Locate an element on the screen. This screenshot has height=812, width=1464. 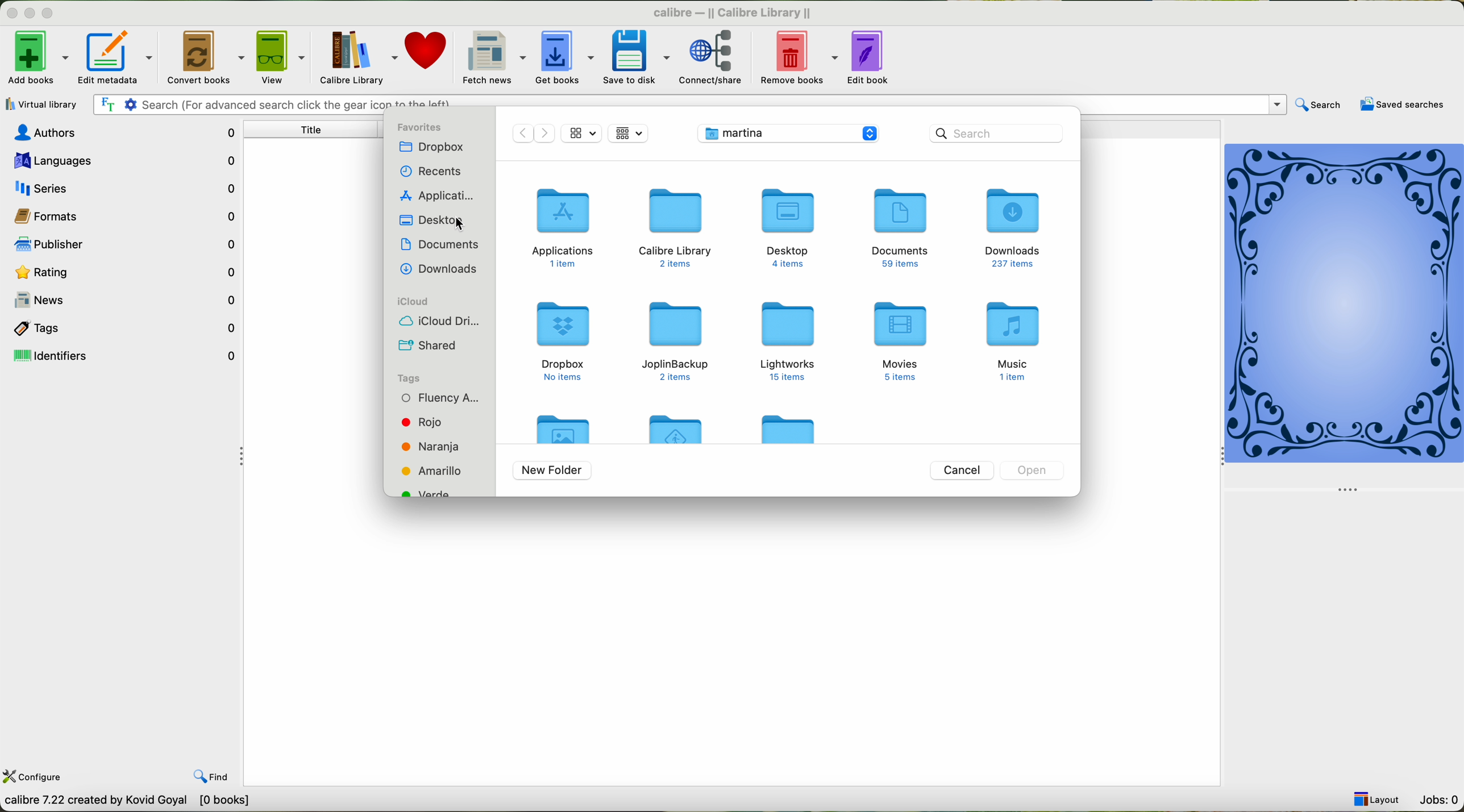
get books is located at coordinates (564, 59).